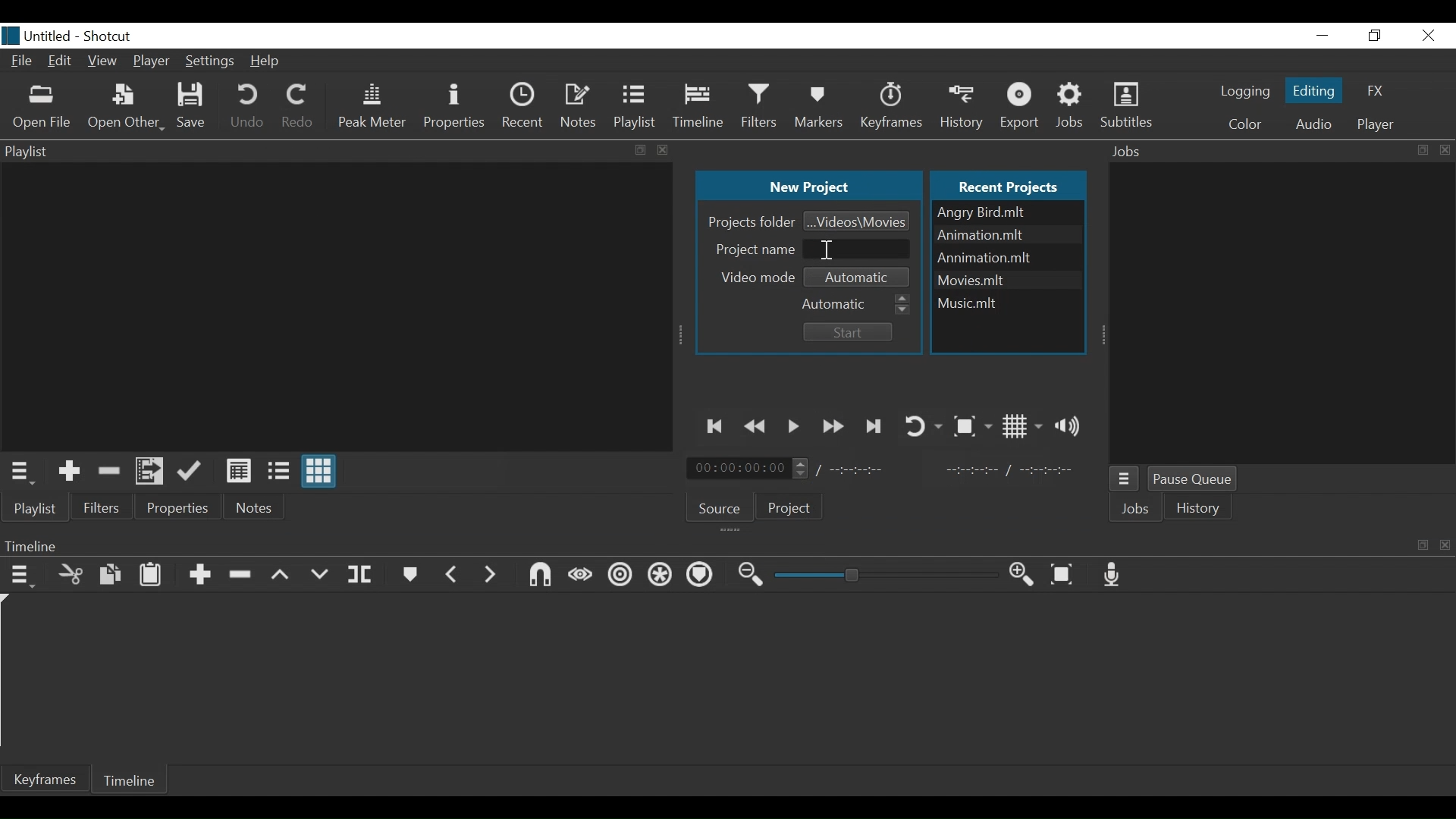 The image size is (1456, 819). I want to click on Filters, so click(102, 507).